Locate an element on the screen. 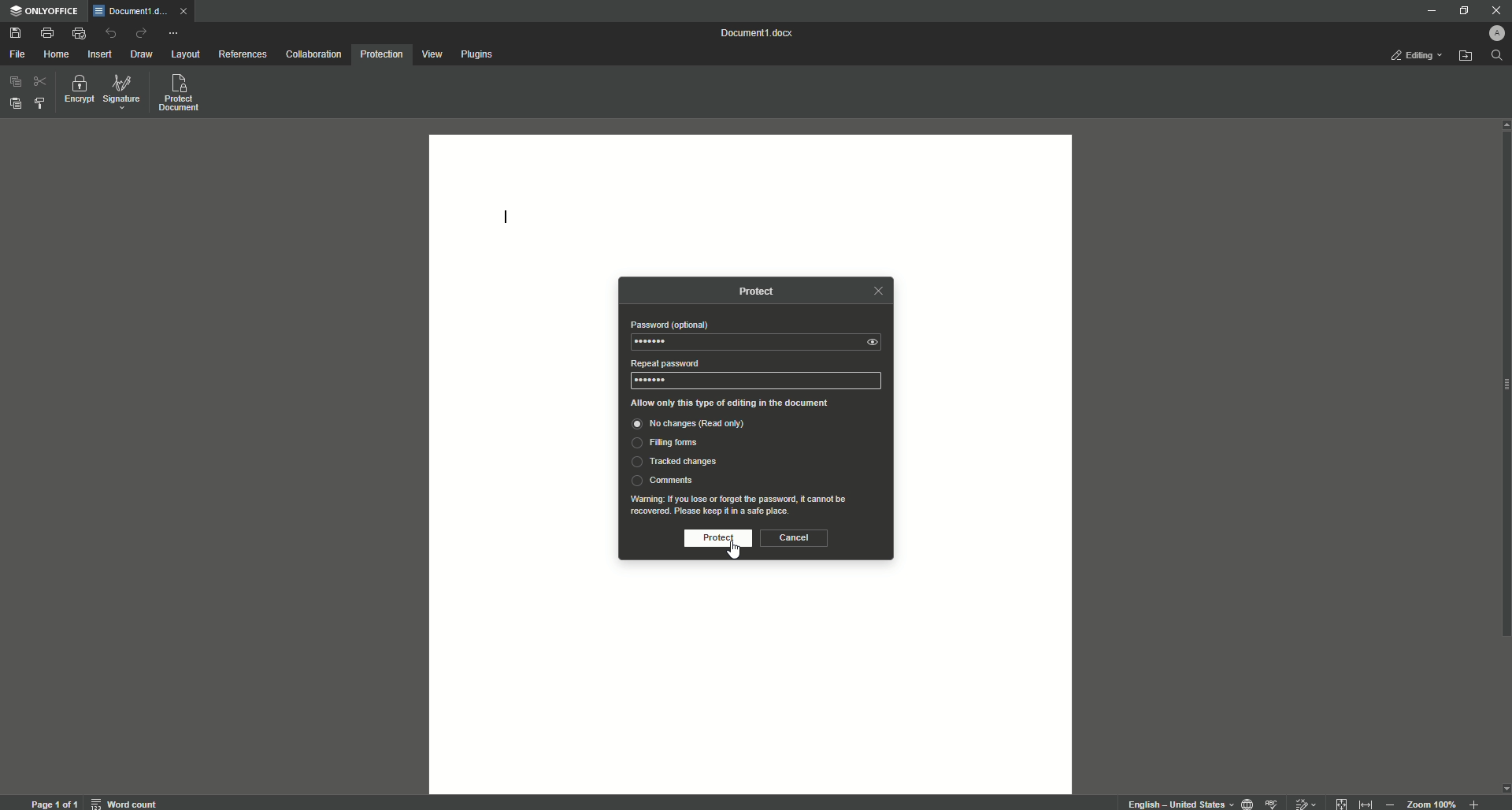  Encrypt is located at coordinates (76, 91).